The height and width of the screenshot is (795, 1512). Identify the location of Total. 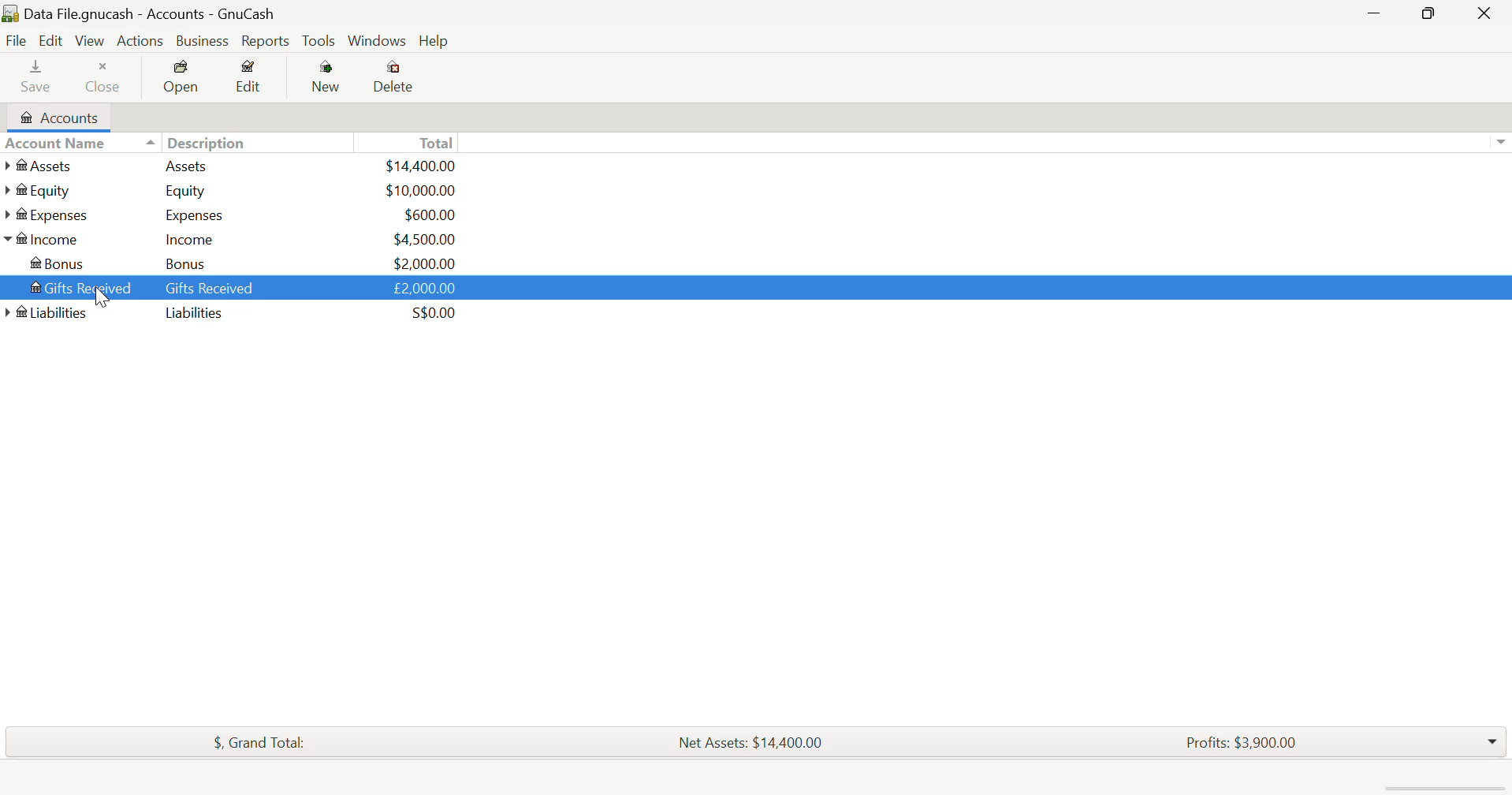
(432, 141).